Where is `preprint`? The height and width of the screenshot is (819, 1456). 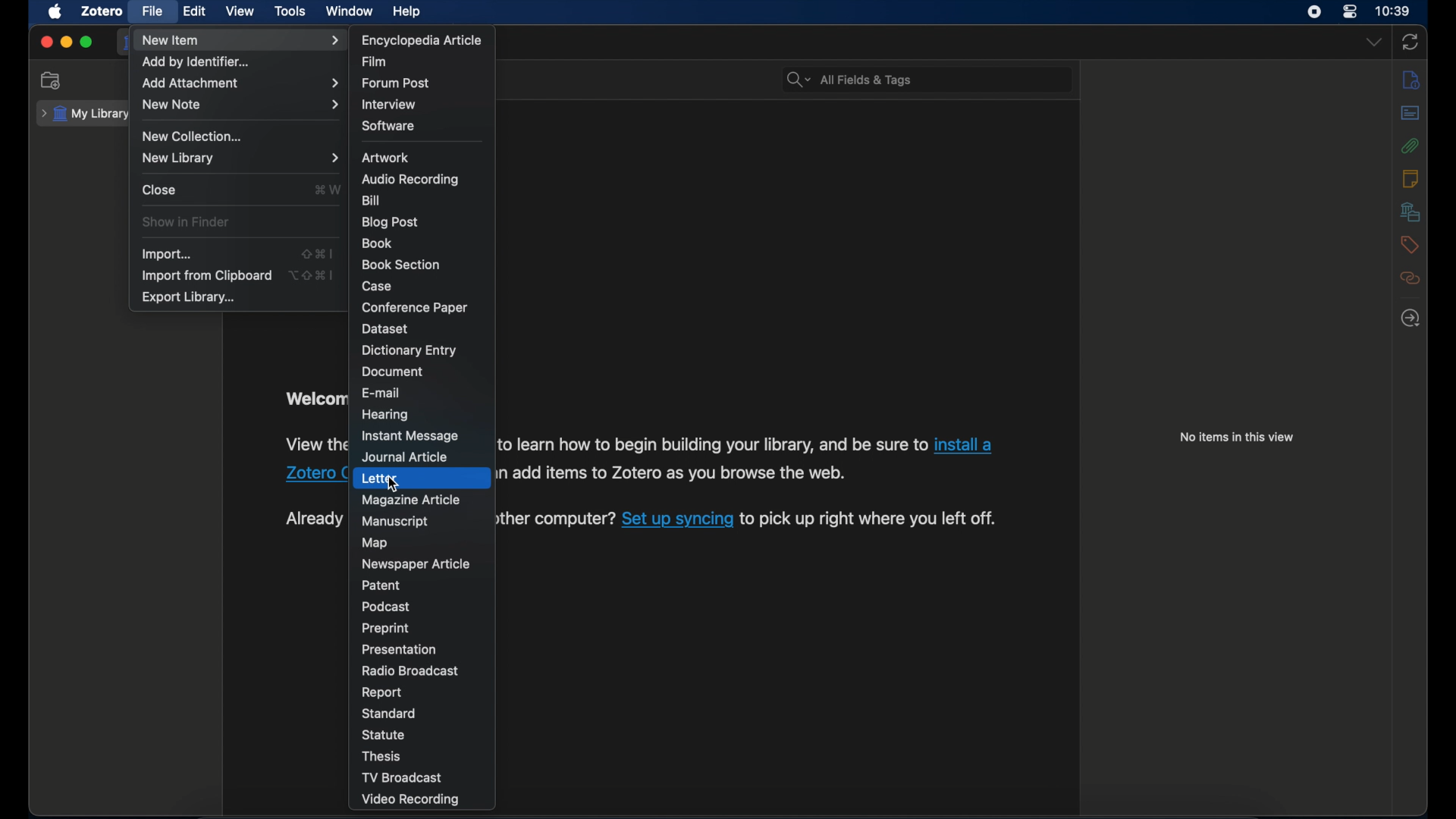 preprint is located at coordinates (385, 629).